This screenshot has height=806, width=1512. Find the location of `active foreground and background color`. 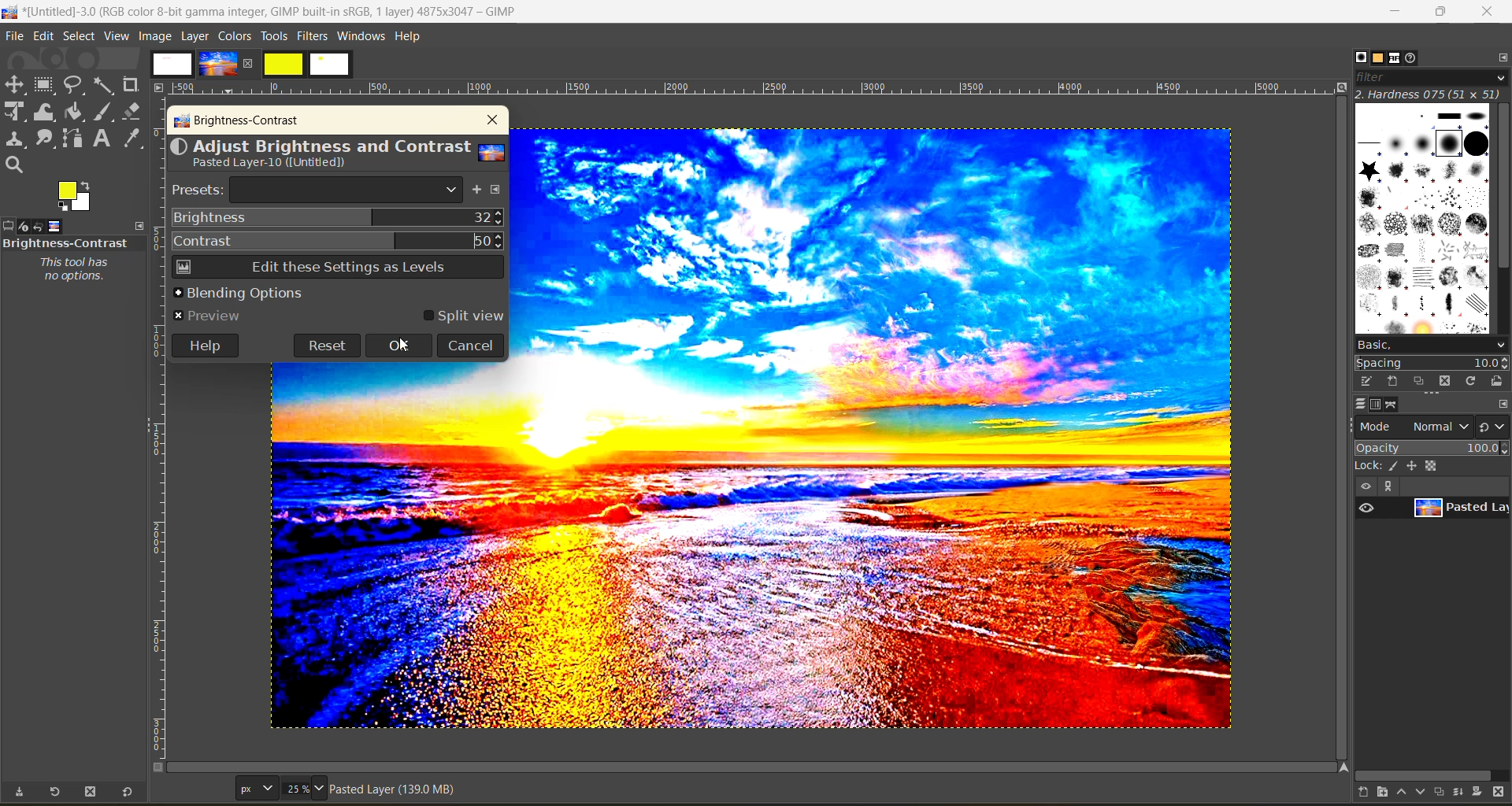

active foreground and background color is located at coordinates (76, 197).